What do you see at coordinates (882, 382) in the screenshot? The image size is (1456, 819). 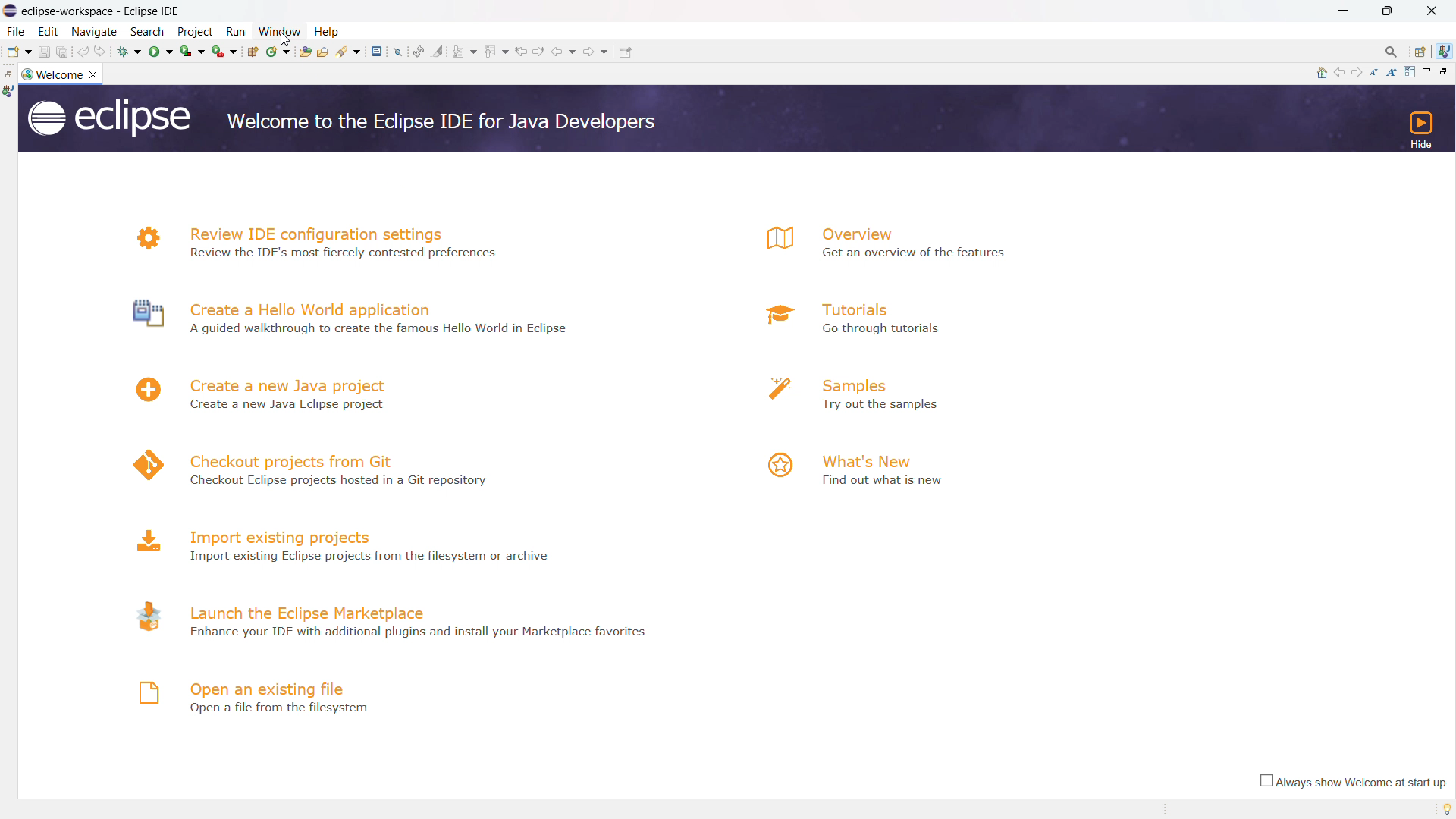 I see `samples` at bounding box center [882, 382].